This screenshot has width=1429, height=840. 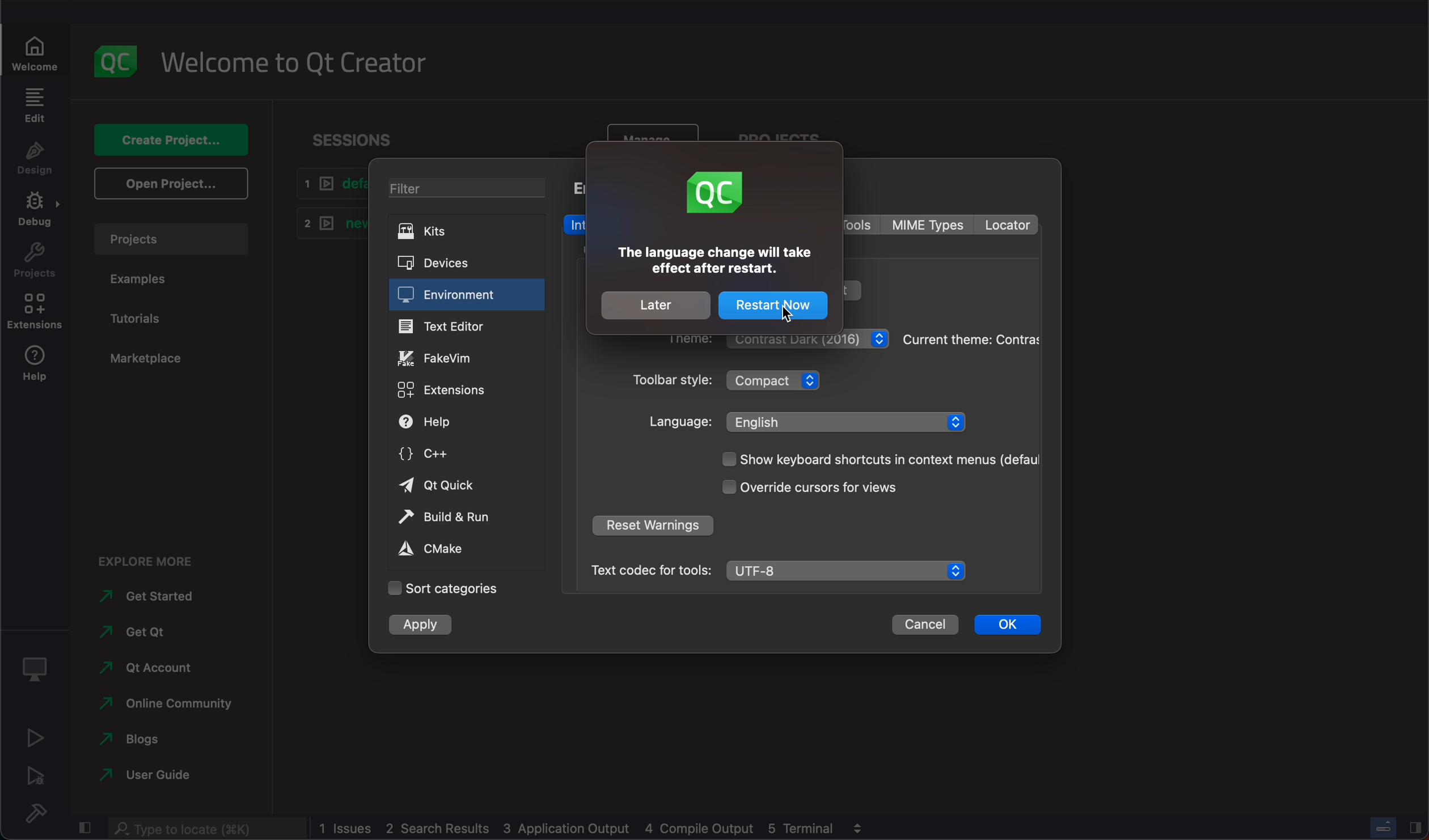 I want to click on build, so click(x=465, y=518).